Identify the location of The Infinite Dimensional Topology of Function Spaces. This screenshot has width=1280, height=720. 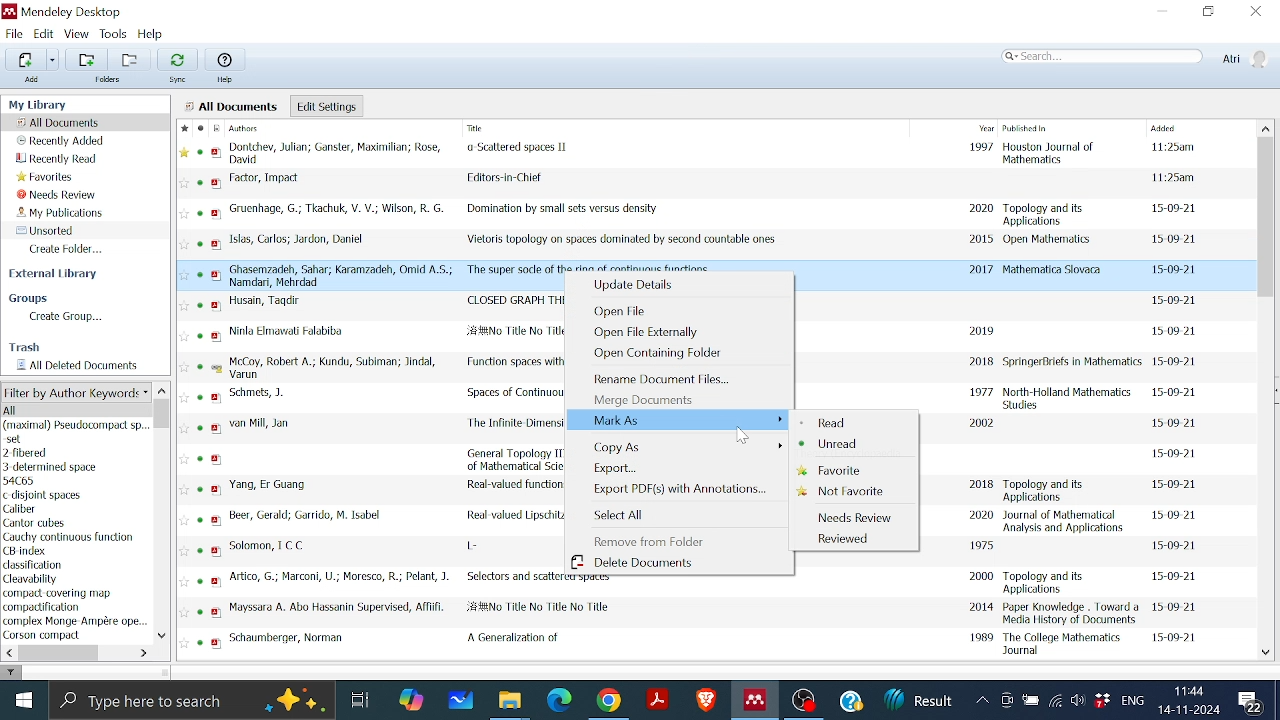
(371, 426).